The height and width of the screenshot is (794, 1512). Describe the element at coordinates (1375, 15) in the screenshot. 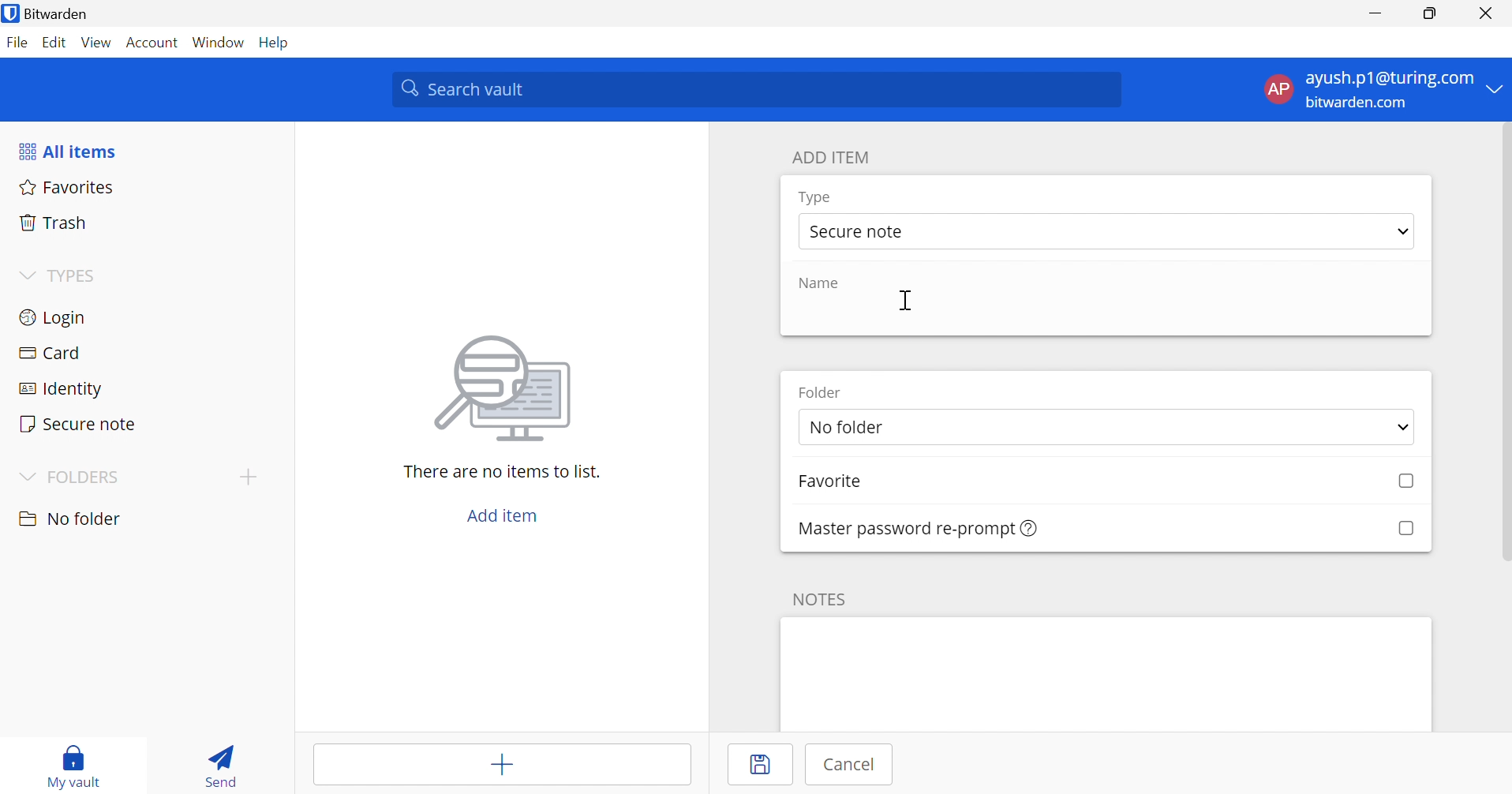

I see `Minimize` at that location.